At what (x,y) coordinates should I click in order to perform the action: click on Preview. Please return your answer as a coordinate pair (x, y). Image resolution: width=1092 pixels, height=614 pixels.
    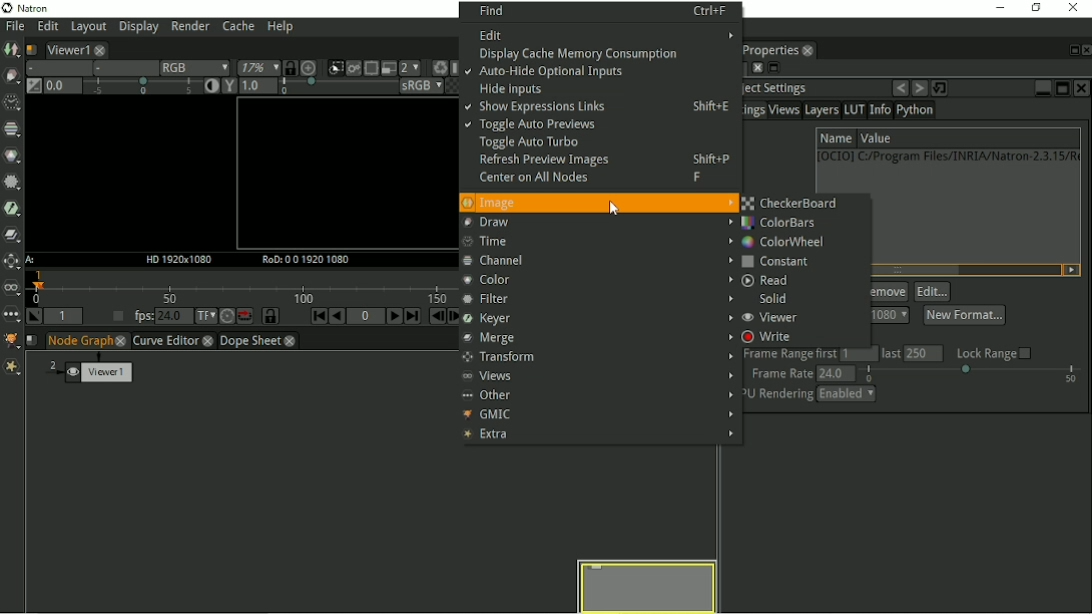
    Looking at the image, I should click on (648, 585).